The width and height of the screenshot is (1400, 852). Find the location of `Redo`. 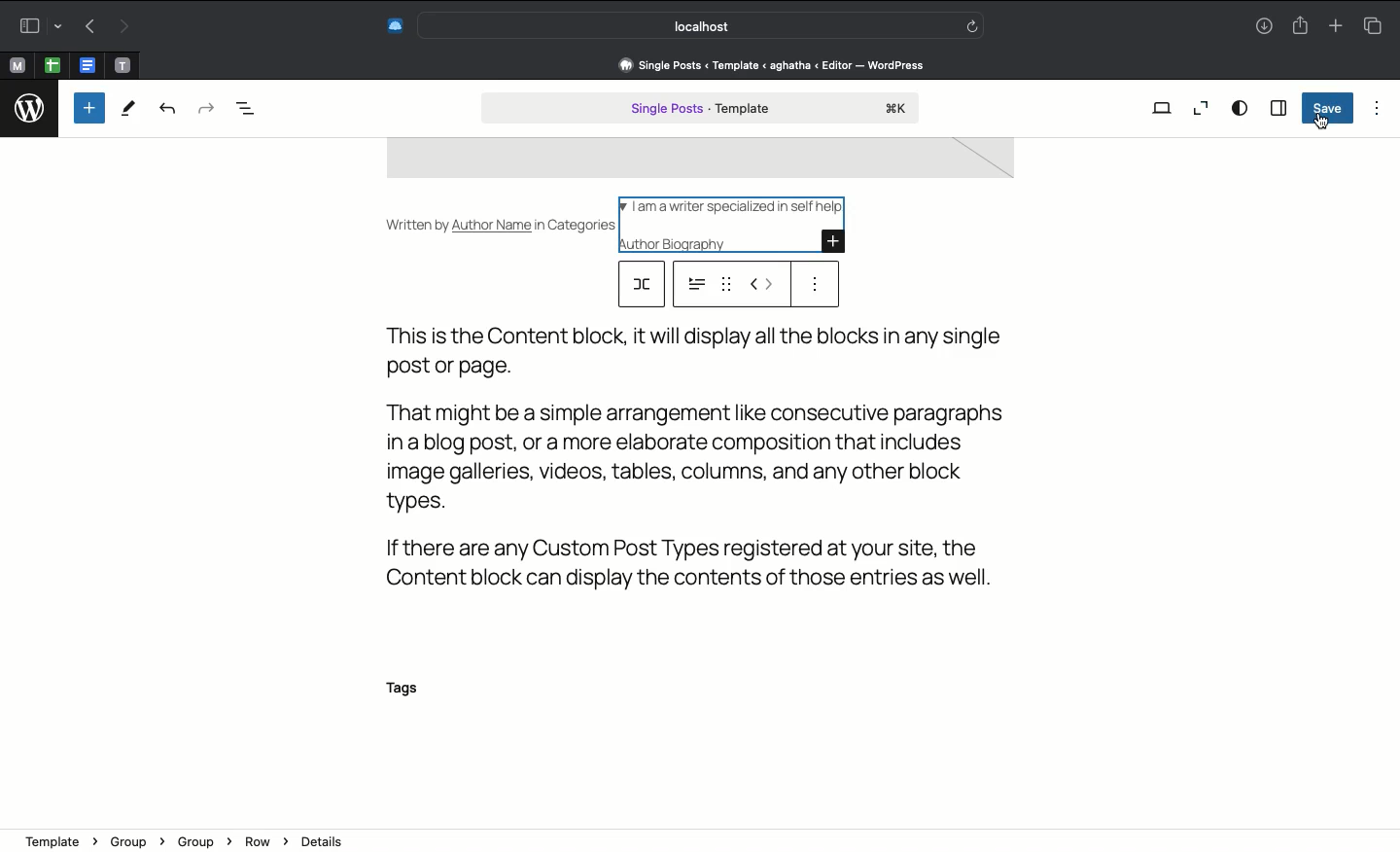

Redo is located at coordinates (204, 107).